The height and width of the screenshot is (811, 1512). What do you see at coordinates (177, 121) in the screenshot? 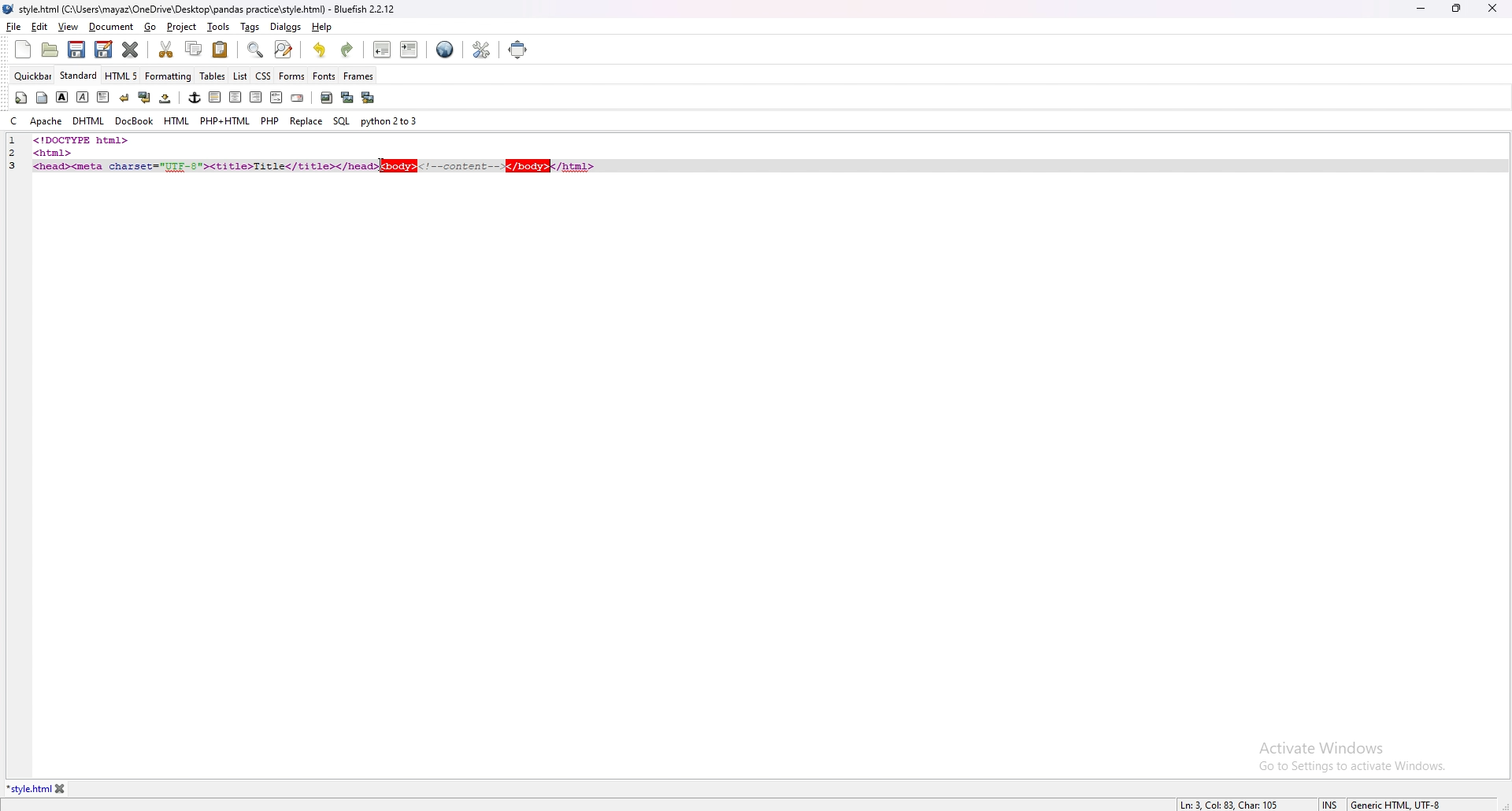
I see `html` at bounding box center [177, 121].